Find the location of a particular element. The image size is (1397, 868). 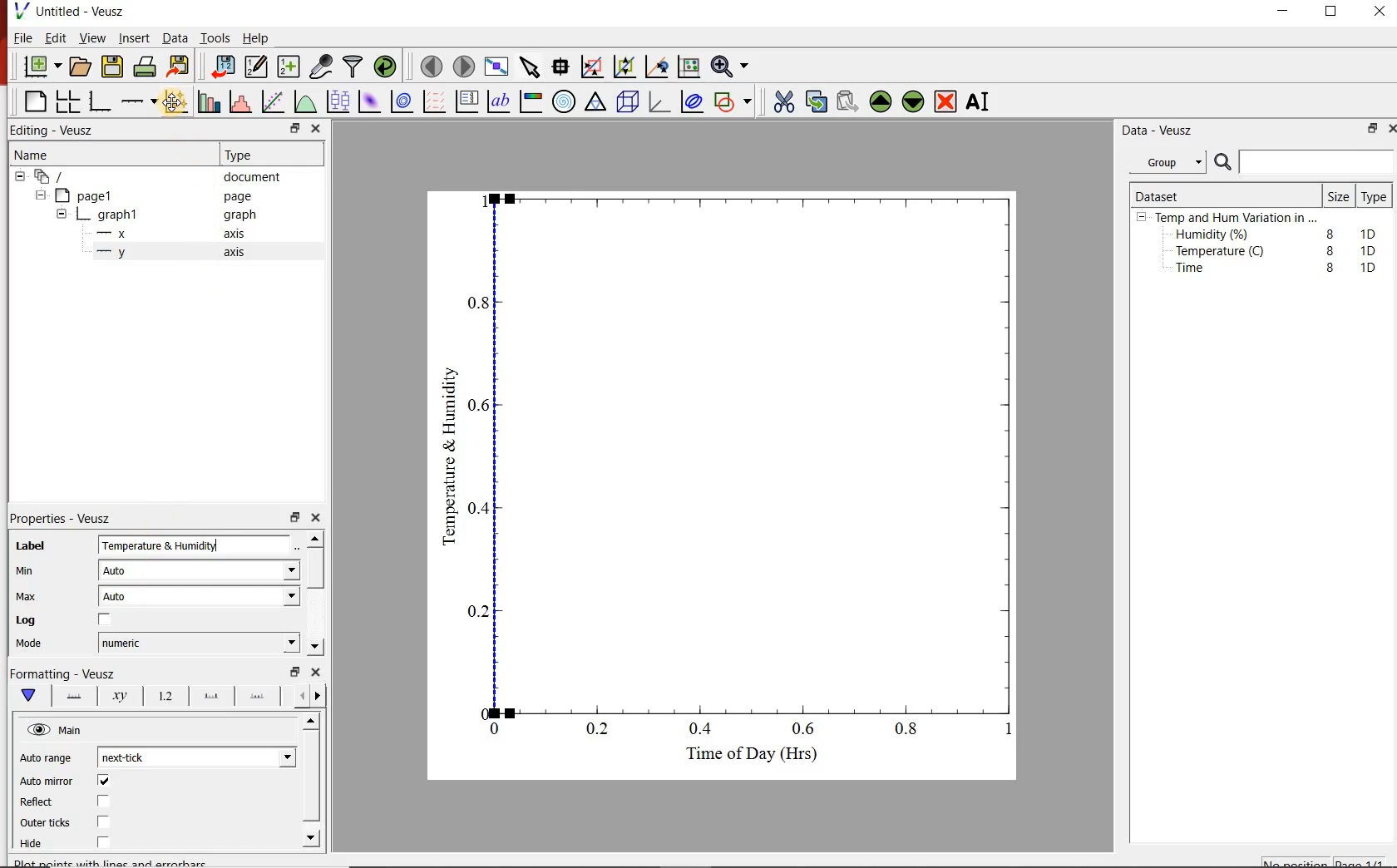

import data into Veusz is located at coordinates (222, 65).